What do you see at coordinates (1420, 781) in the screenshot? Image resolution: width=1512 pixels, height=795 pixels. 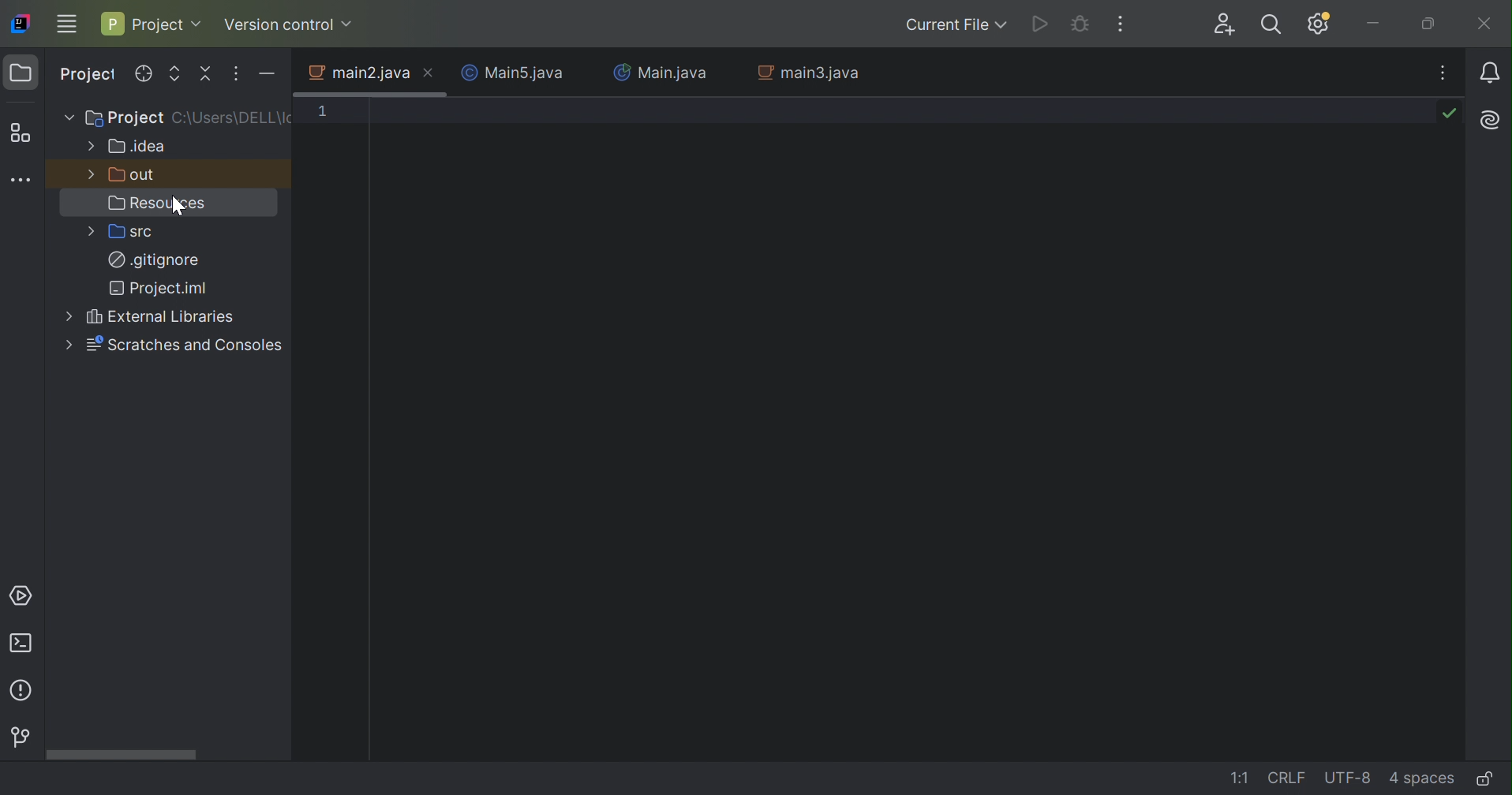 I see `4 spaces` at bounding box center [1420, 781].